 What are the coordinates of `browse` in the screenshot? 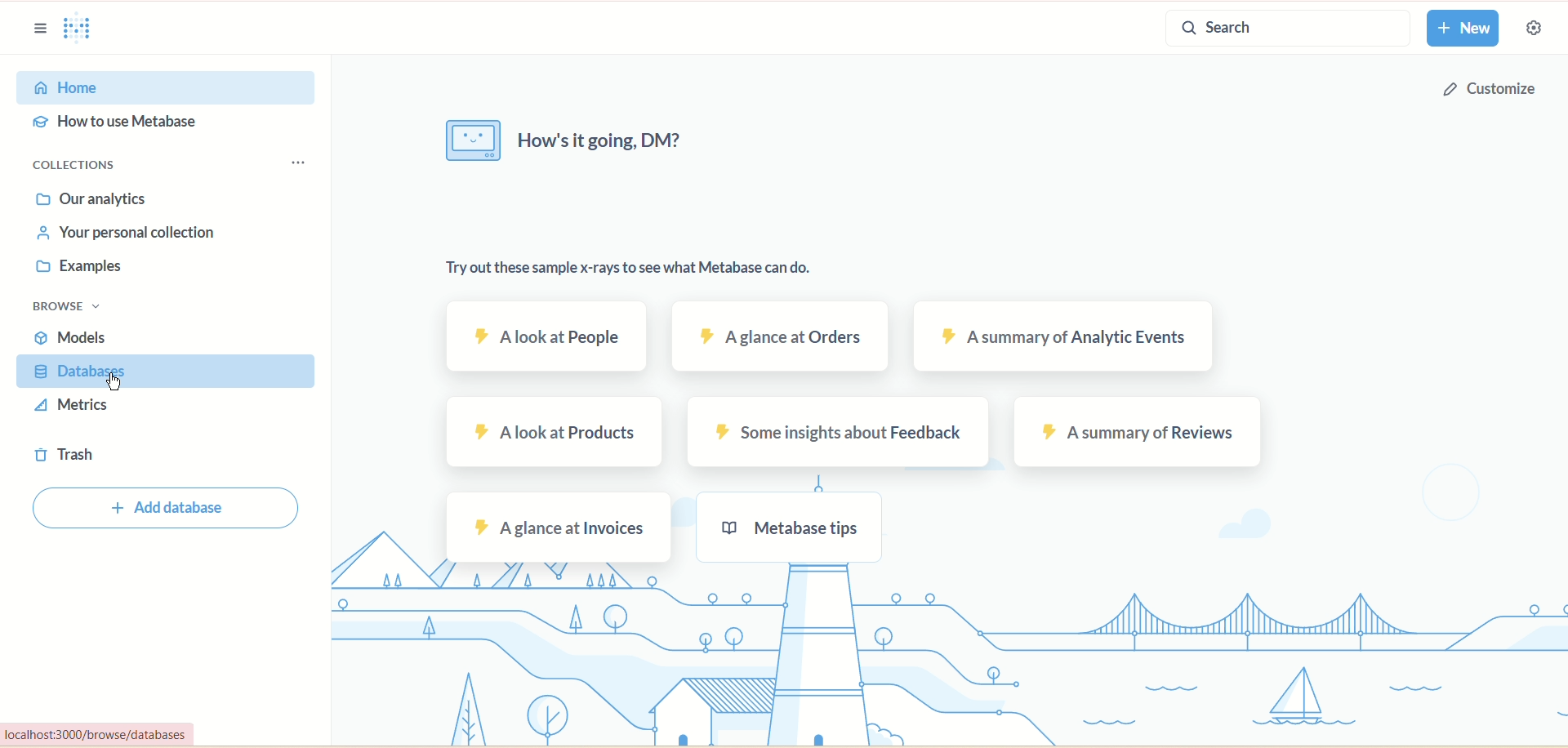 It's located at (65, 307).